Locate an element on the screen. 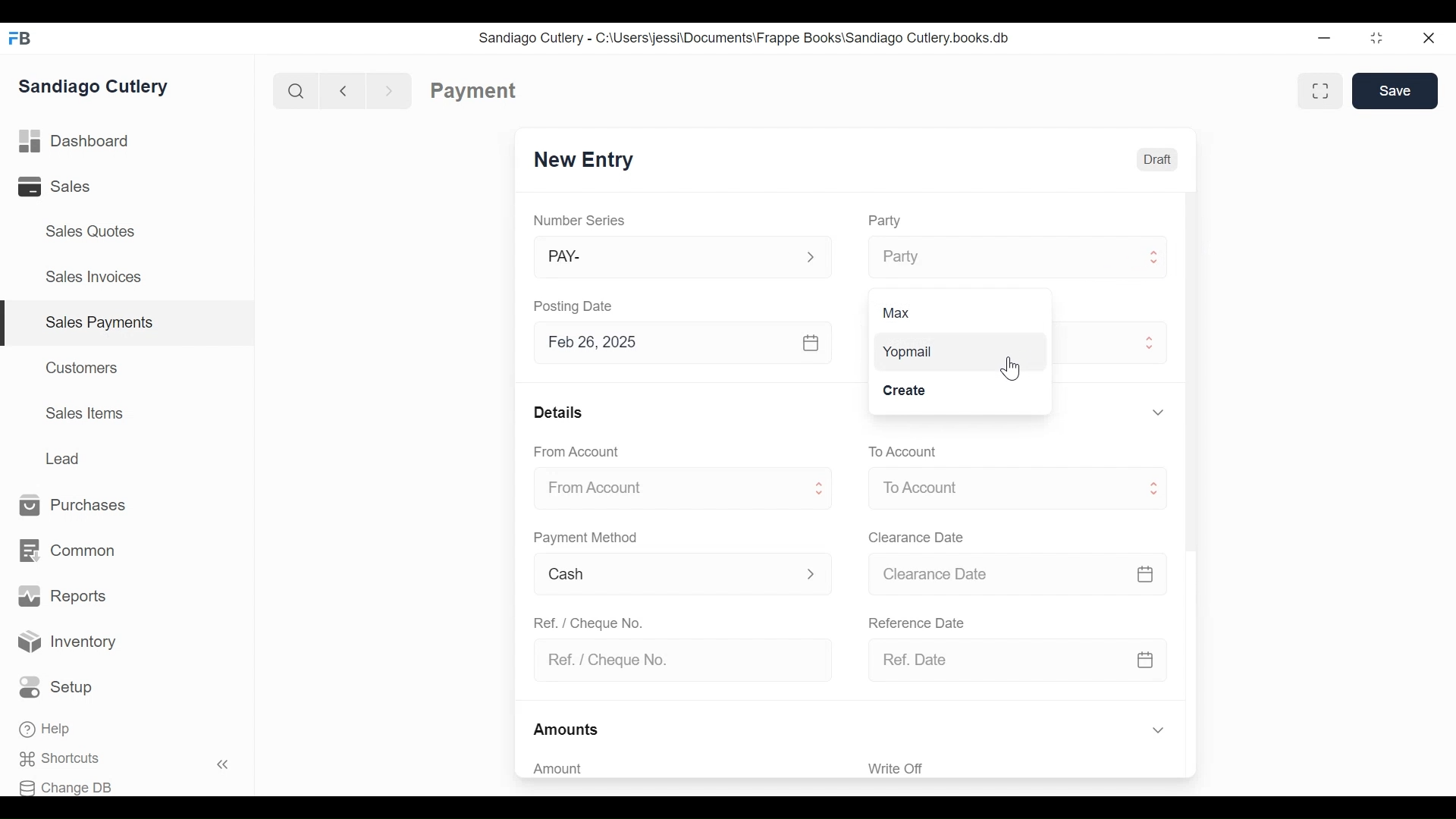 This screenshot has width=1456, height=819. Ref. / Cheque No. is located at coordinates (587, 622).